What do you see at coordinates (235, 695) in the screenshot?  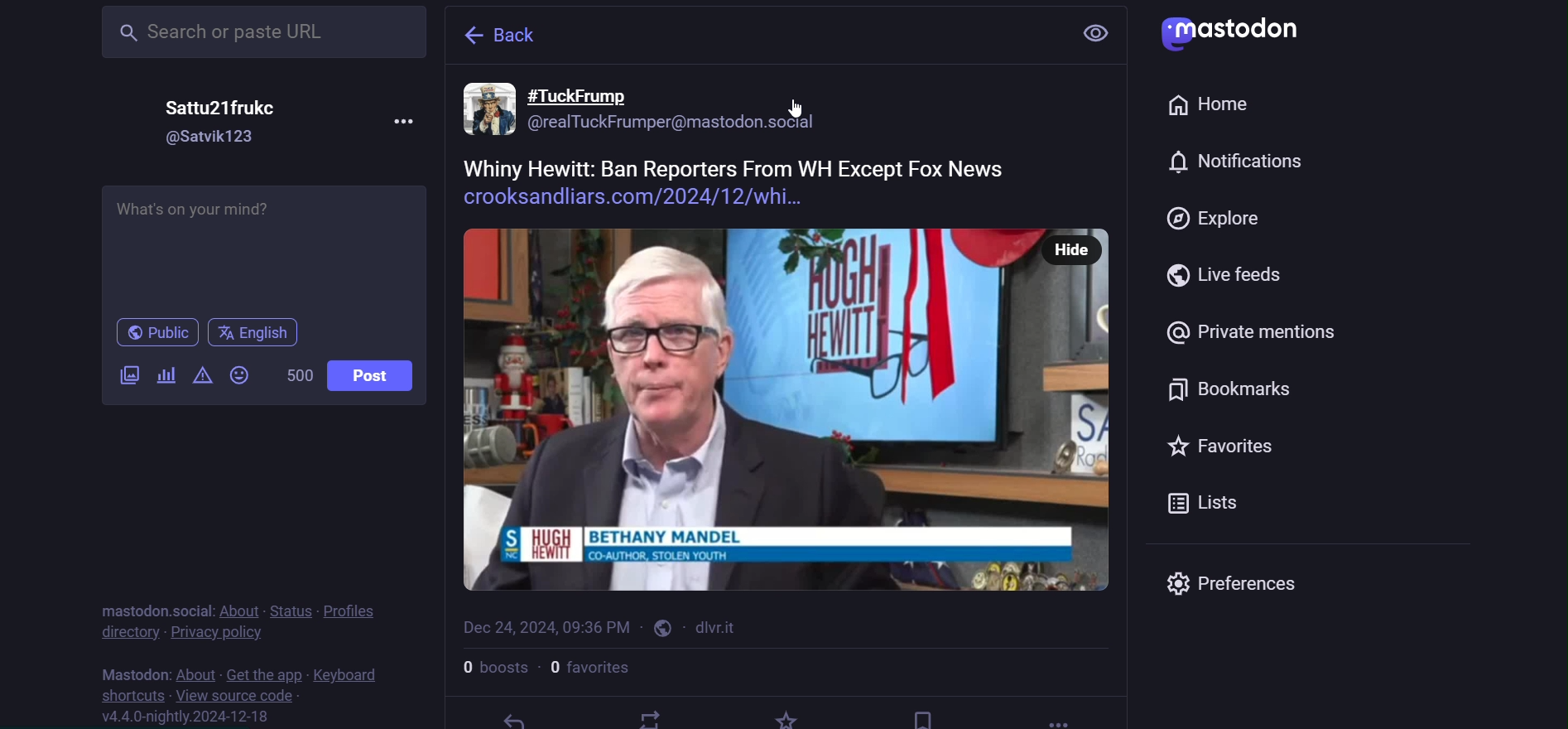 I see `source code` at bounding box center [235, 695].